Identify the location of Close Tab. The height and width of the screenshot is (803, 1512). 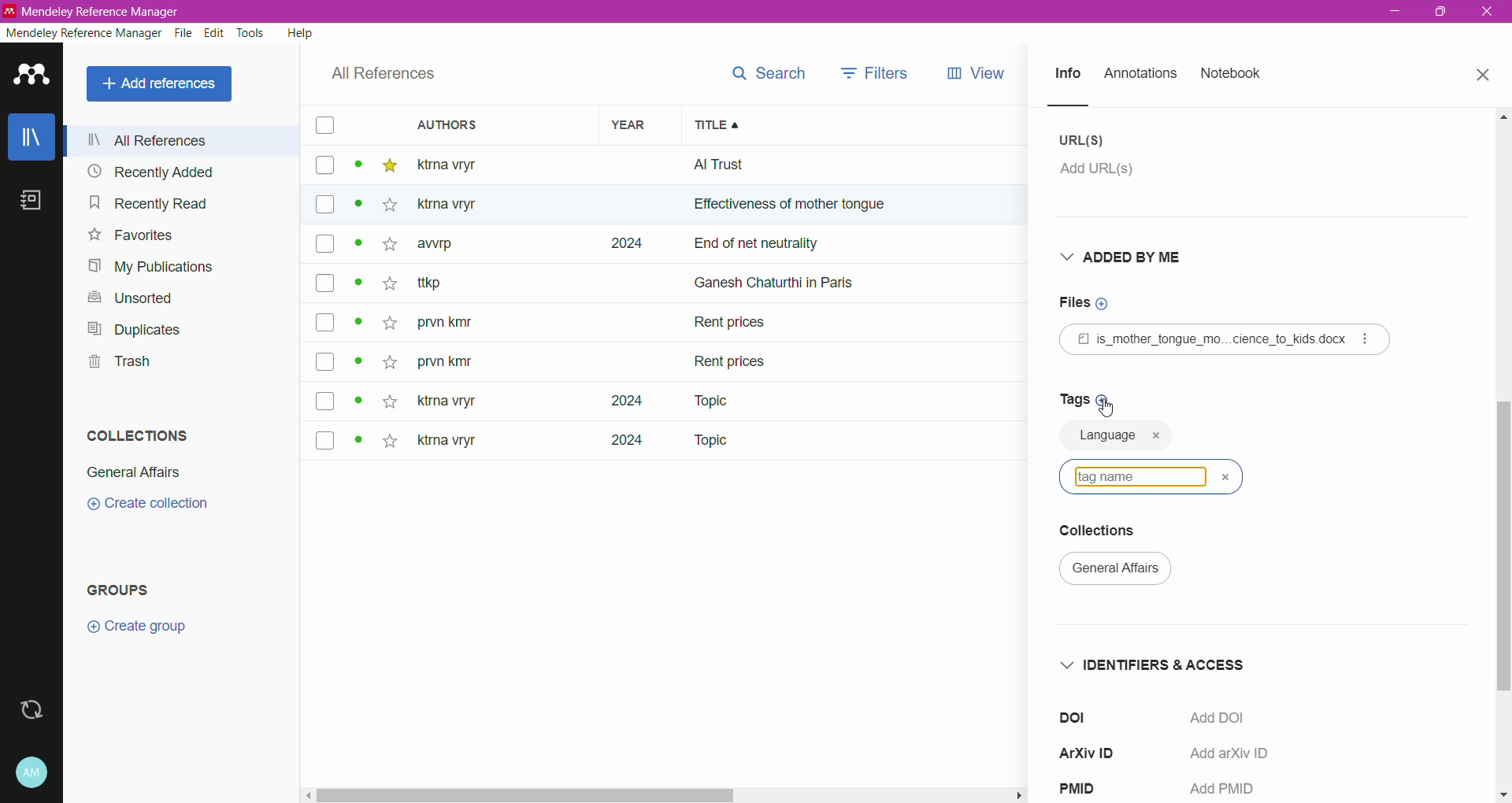
(1485, 76).